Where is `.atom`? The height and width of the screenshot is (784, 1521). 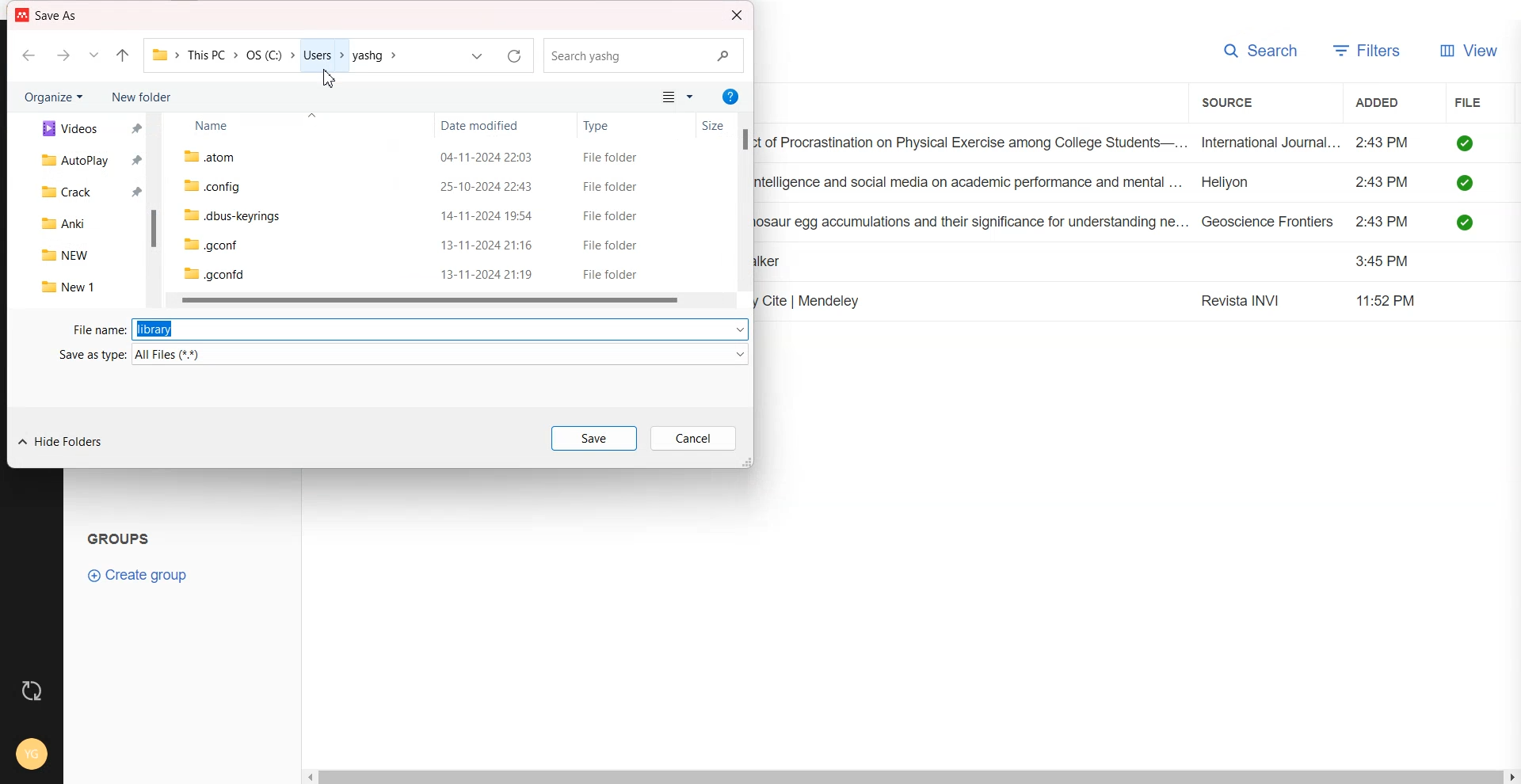 .atom is located at coordinates (212, 158).